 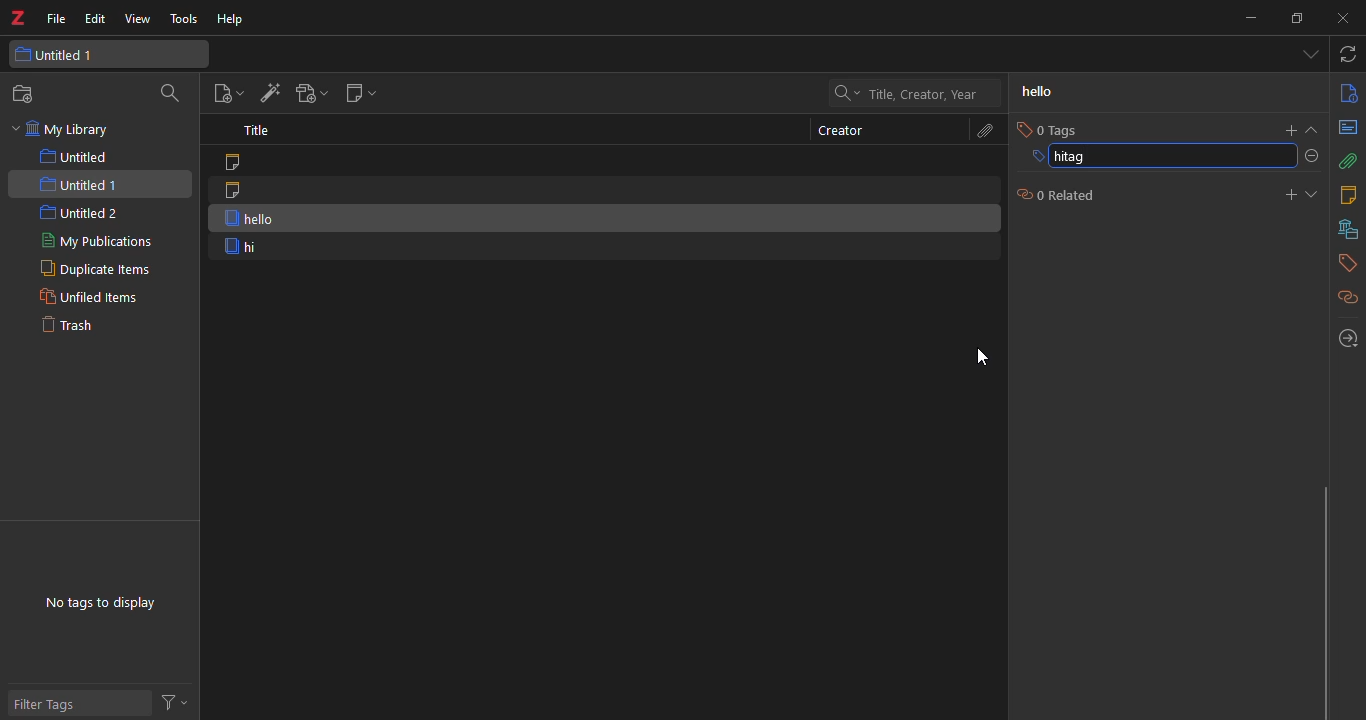 I want to click on close, so click(x=1347, y=19).